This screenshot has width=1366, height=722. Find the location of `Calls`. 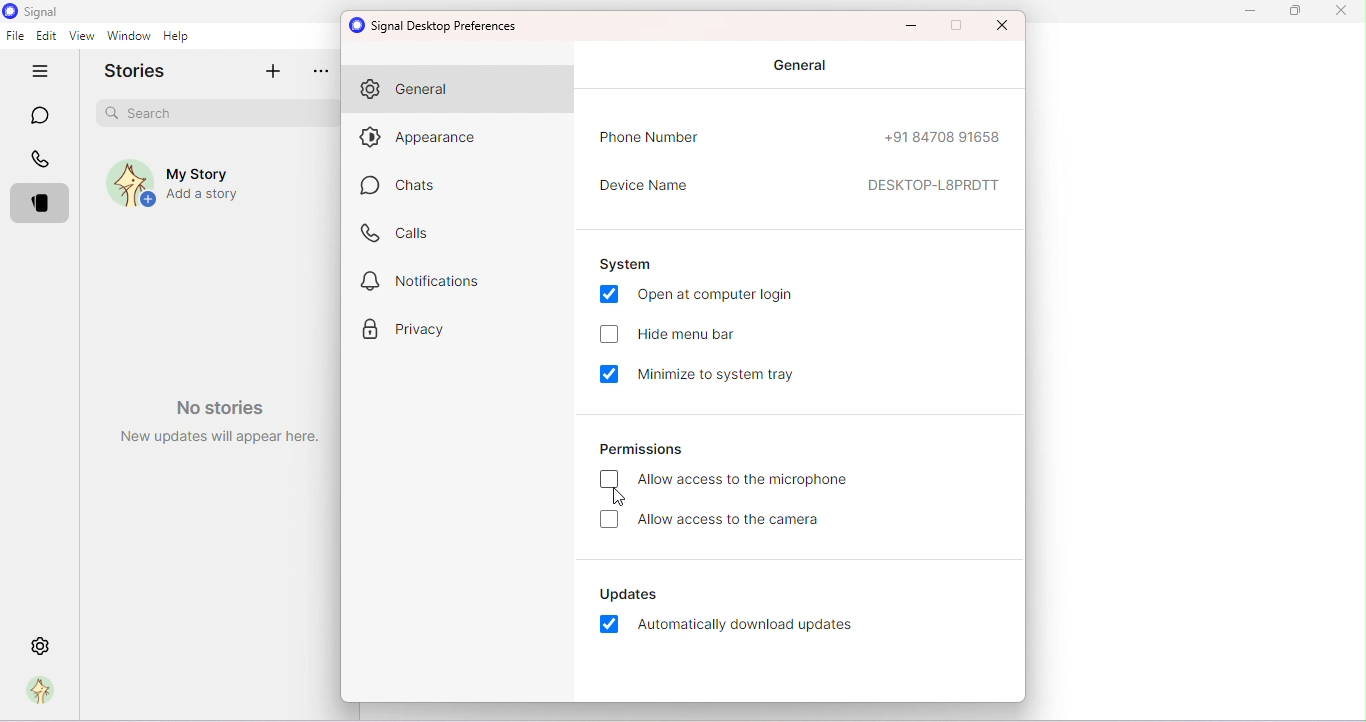

Calls is located at coordinates (394, 234).